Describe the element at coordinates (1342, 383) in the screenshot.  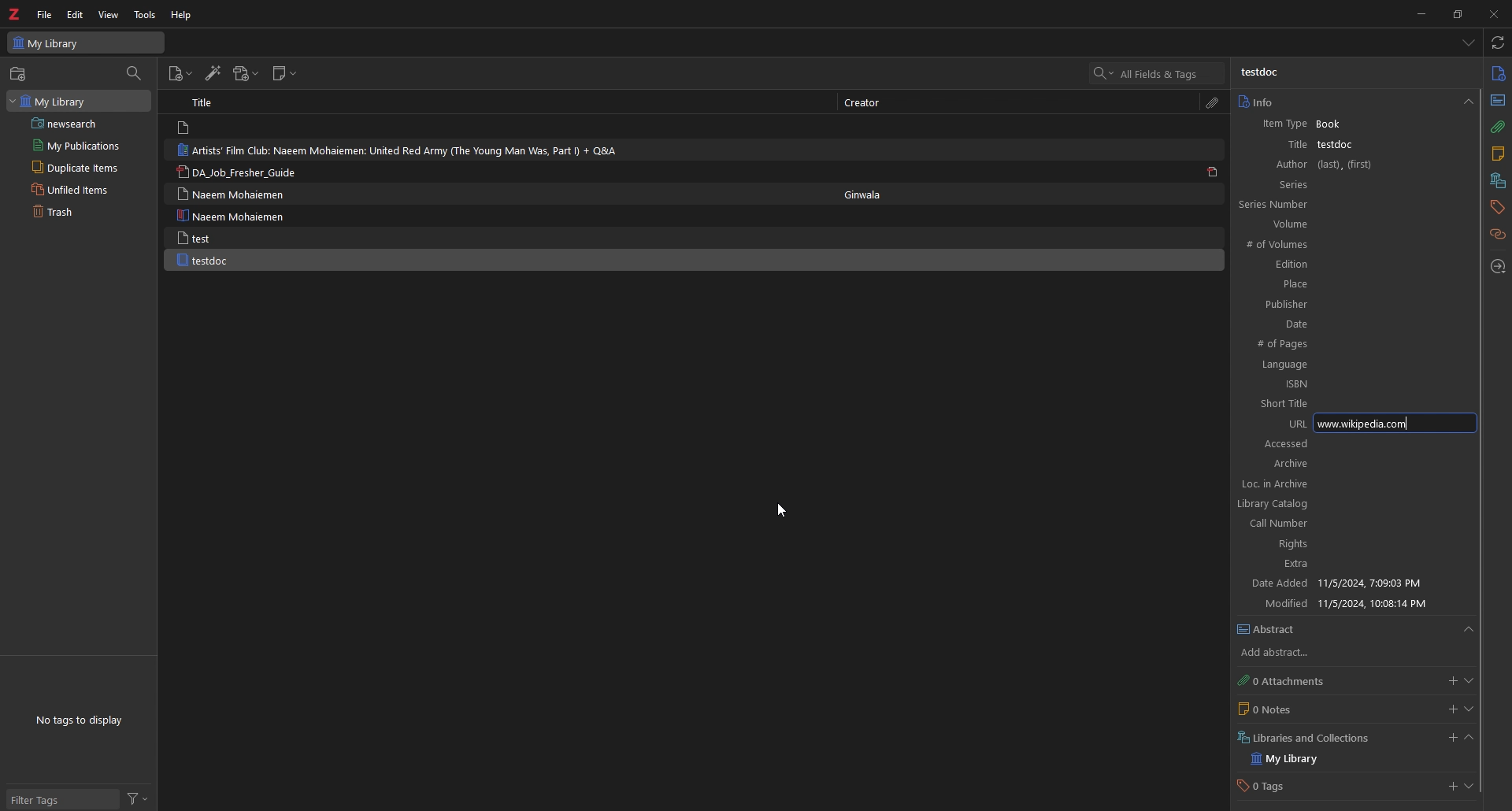
I see `ISBN` at that location.